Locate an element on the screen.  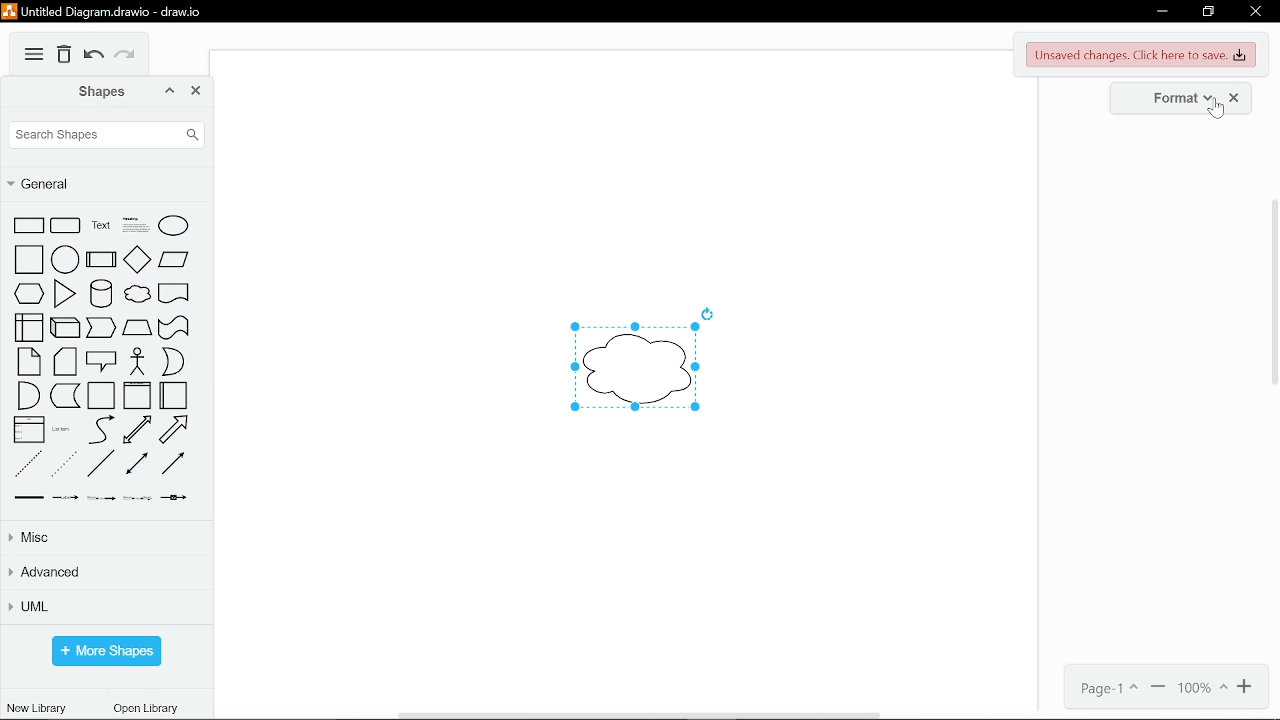
callout is located at coordinates (102, 361).